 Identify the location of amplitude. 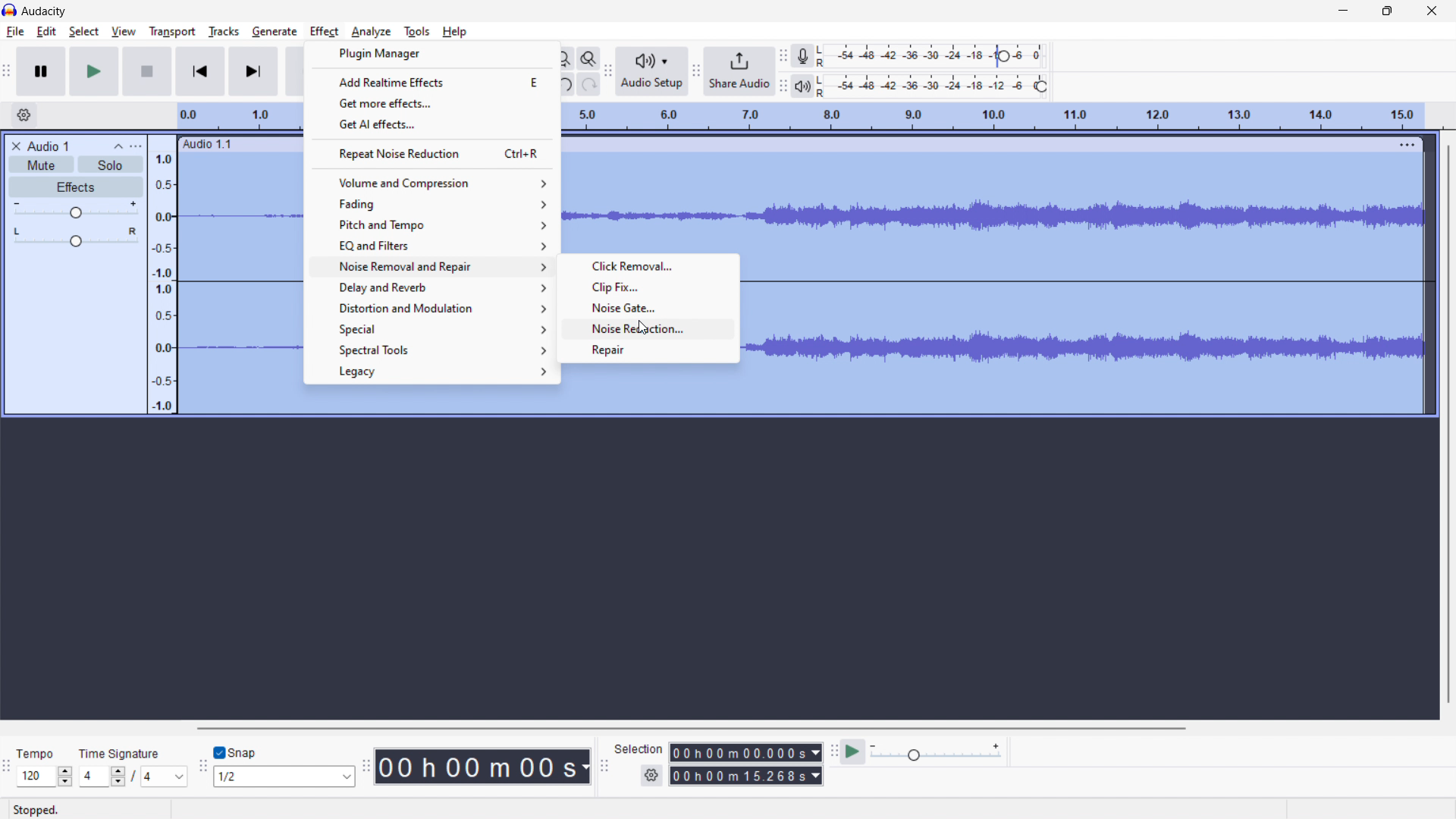
(162, 275).